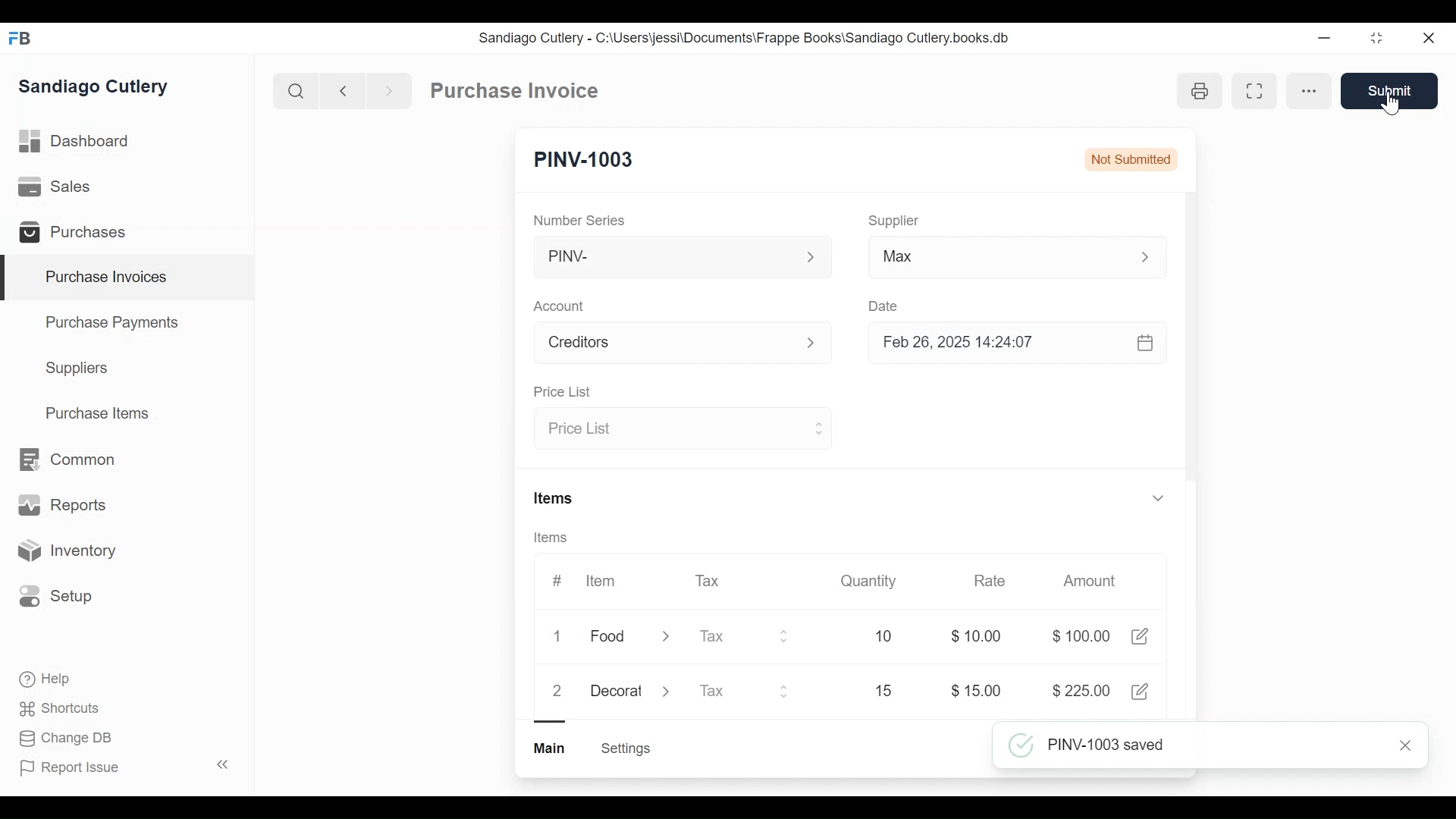 Image resolution: width=1456 pixels, height=819 pixels. I want to click on Expand, so click(811, 258).